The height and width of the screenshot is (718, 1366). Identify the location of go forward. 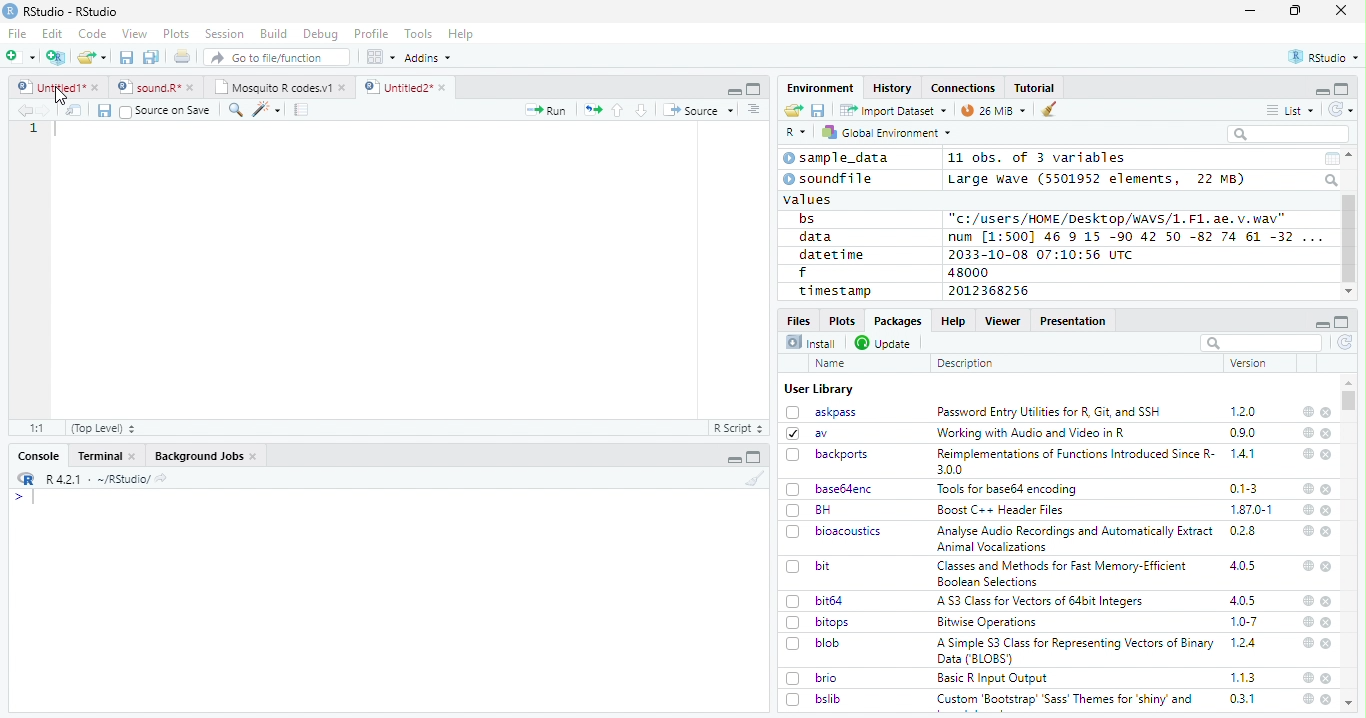
(48, 110).